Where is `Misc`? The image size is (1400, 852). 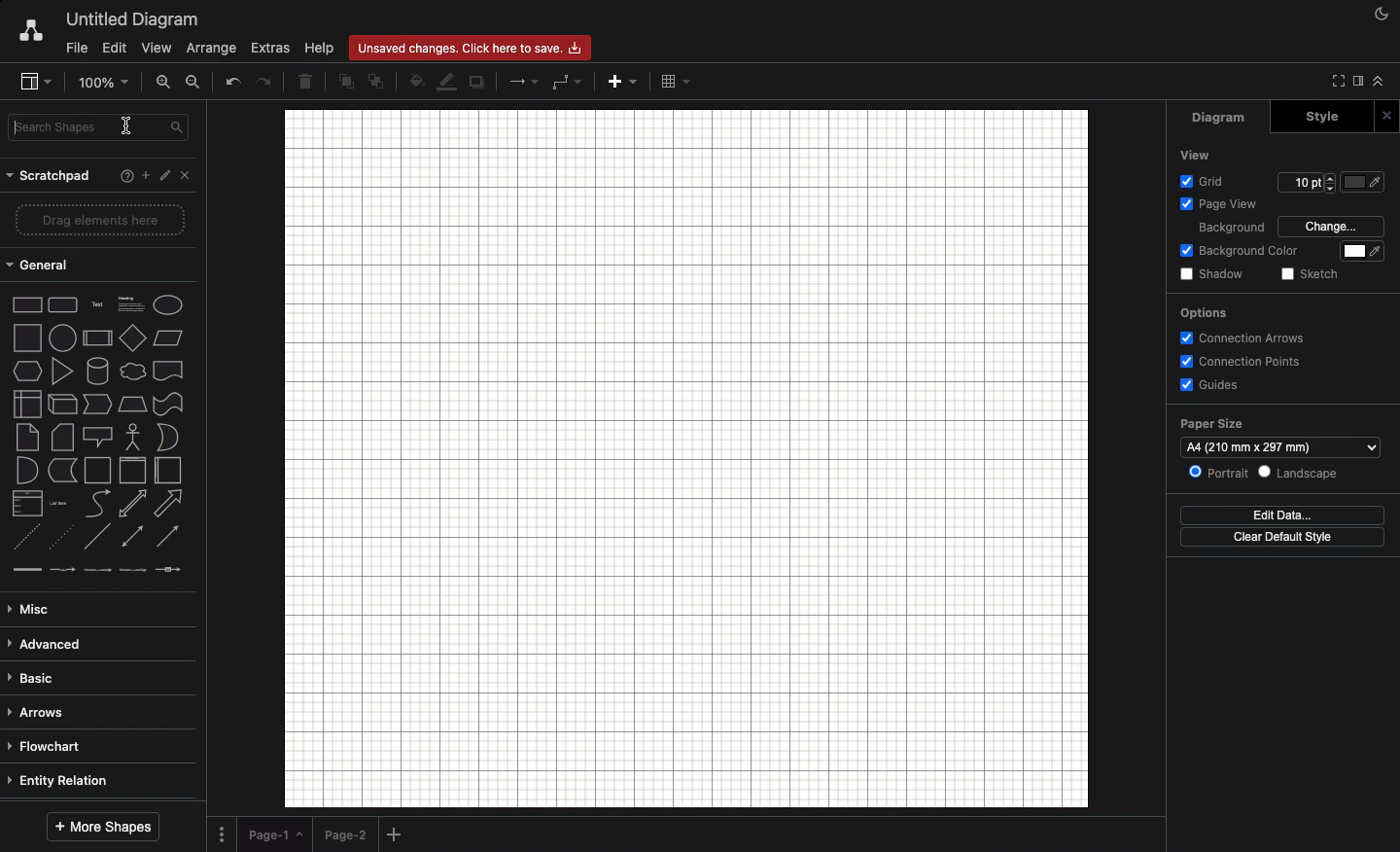 Misc is located at coordinates (34, 611).